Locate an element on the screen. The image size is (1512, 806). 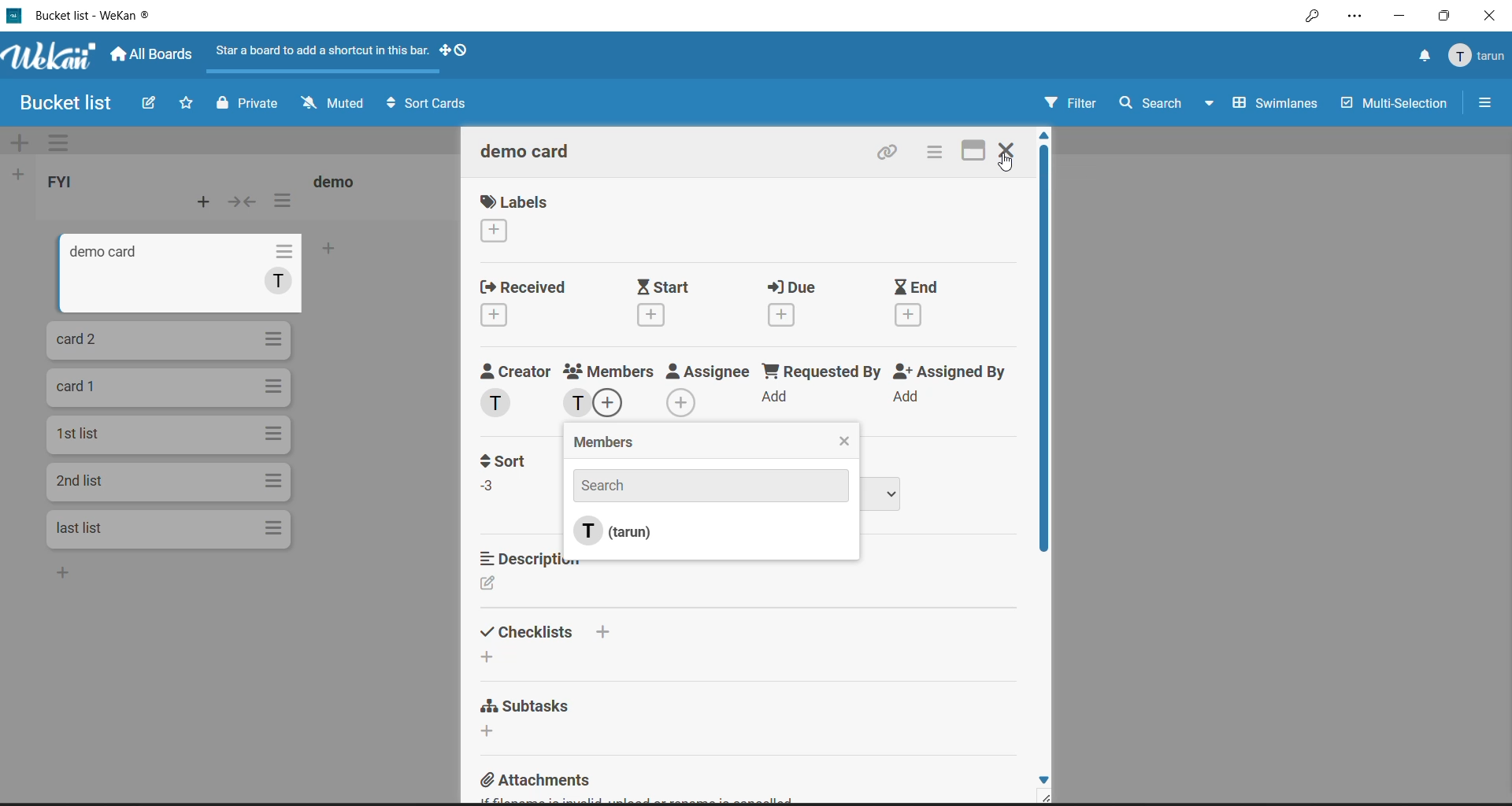
multi selection is located at coordinates (1394, 103).